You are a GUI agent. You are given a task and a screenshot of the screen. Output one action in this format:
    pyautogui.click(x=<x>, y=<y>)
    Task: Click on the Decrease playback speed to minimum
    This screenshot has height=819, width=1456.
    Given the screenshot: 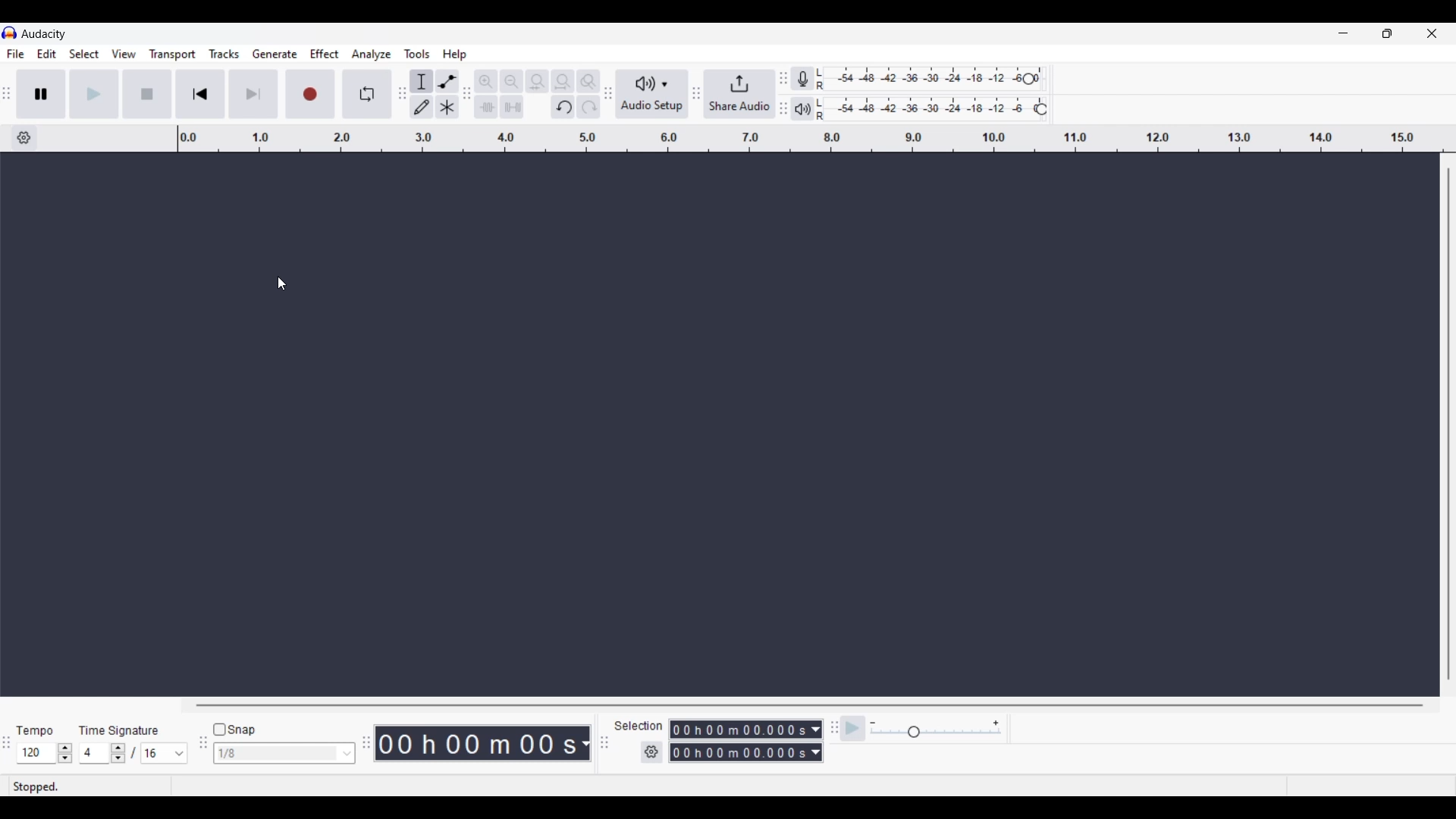 What is the action you would take?
    pyautogui.click(x=873, y=723)
    